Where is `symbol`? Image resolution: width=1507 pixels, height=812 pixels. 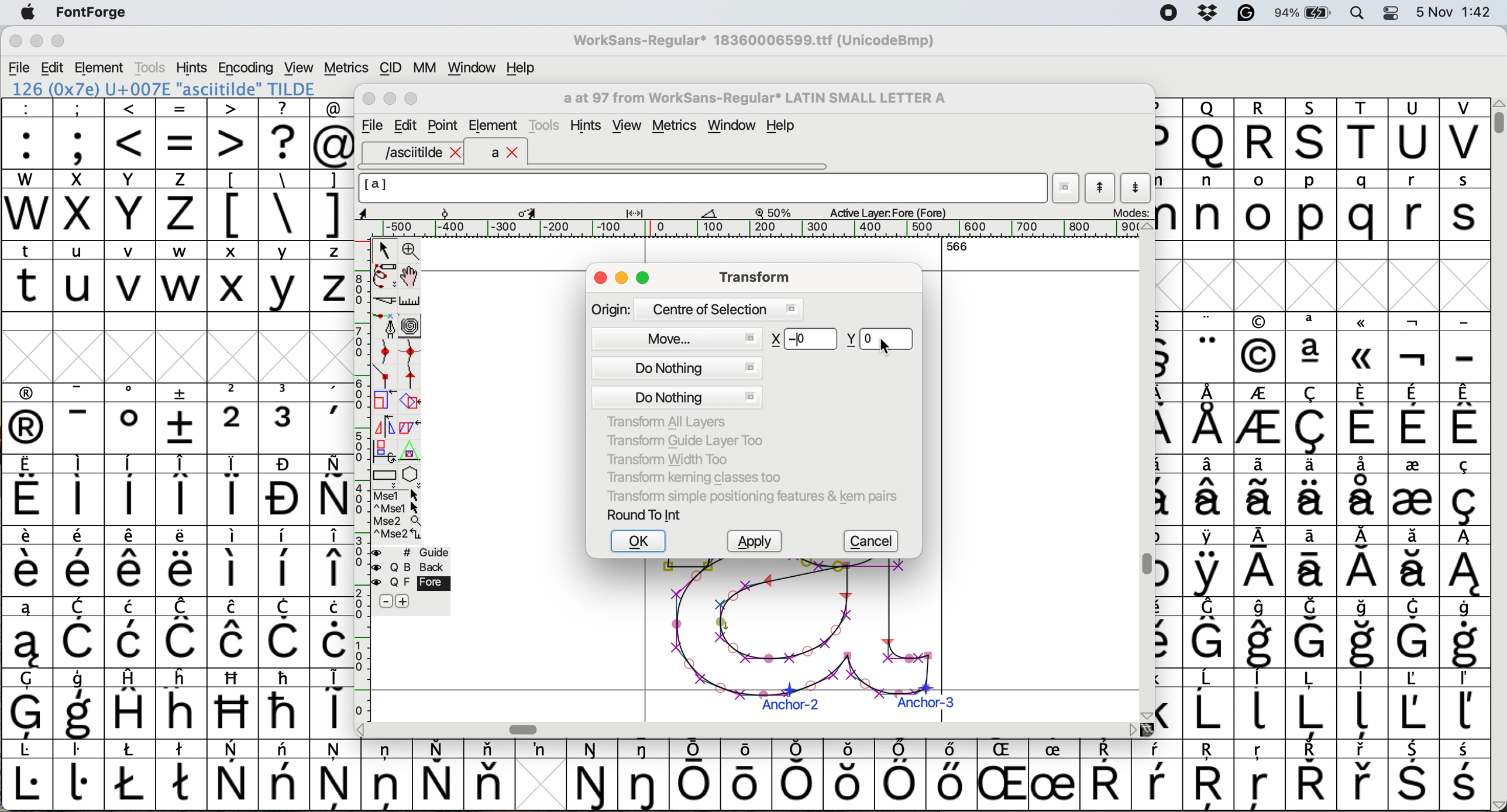 symbol is located at coordinates (1210, 419).